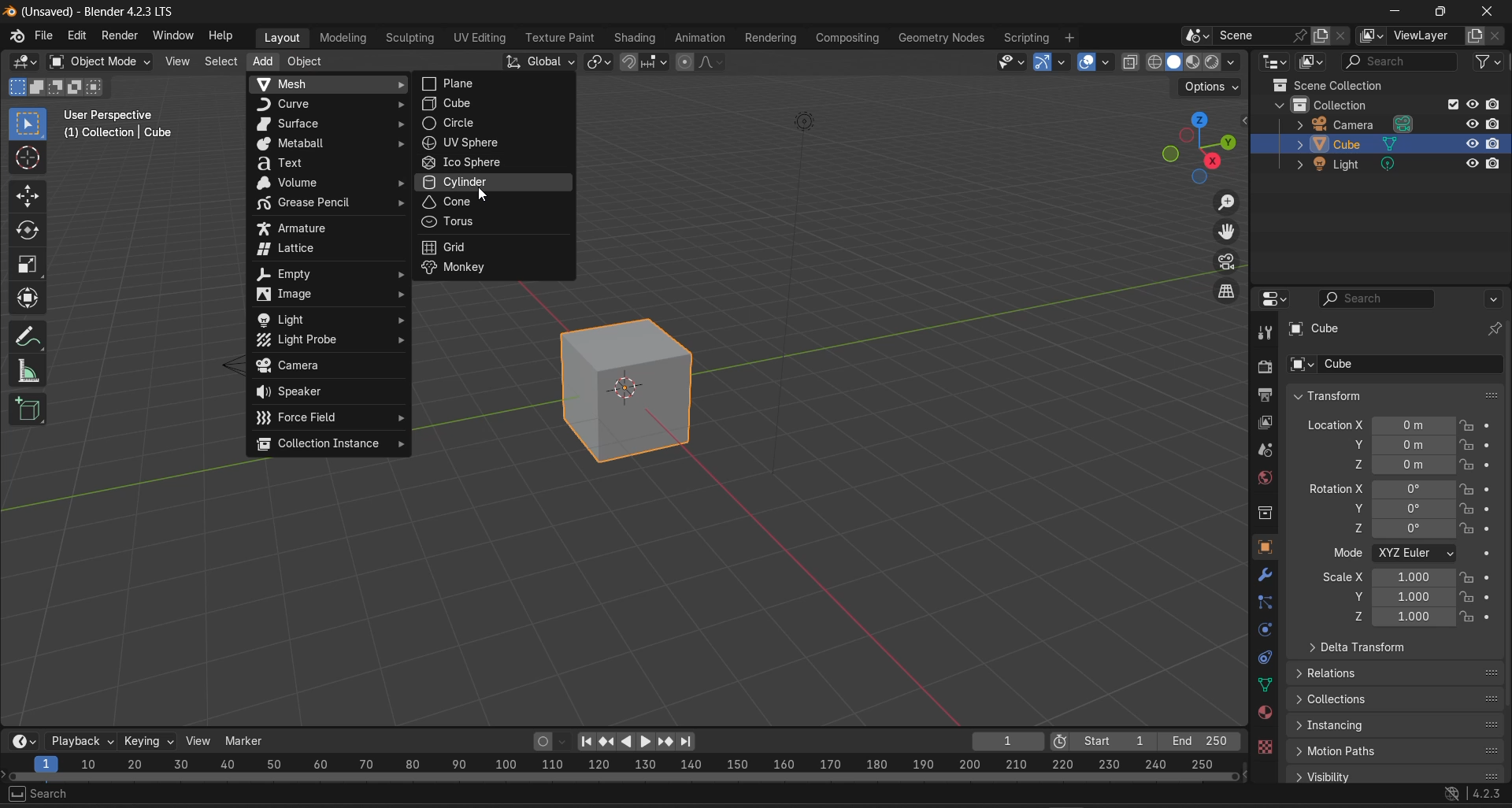 This screenshot has height=808, width=1512. I want to click on monkey, so click(493, 269).